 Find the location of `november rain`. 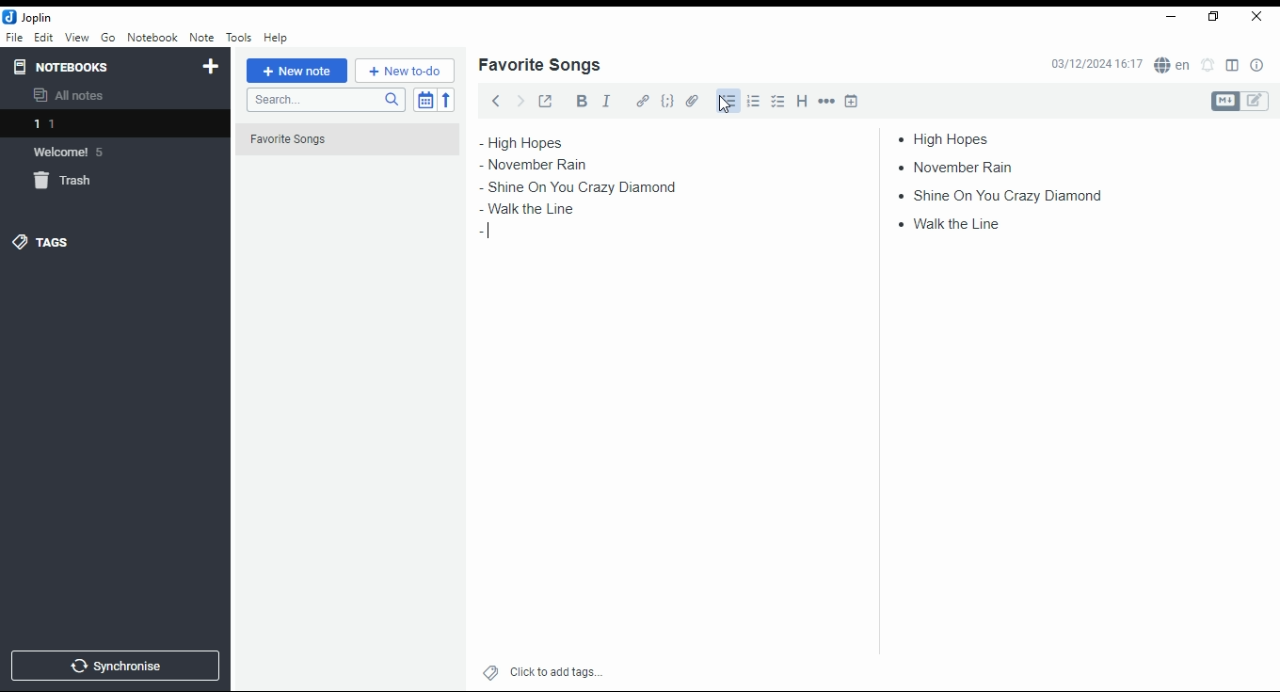

november rain is located at coordinates (962, 166).